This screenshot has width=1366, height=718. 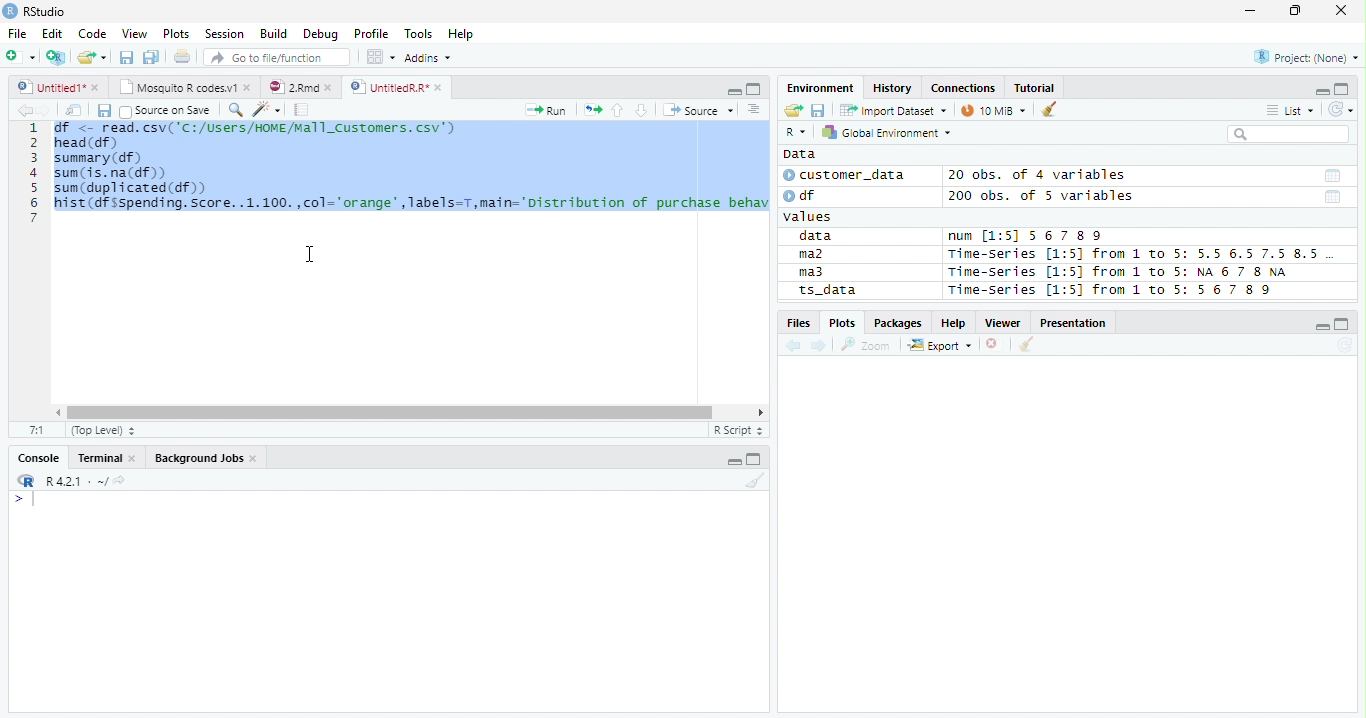 What do you see at coordinates (223, 33) in the screenshot?
I see `Session` at bounding box center [223, 33].